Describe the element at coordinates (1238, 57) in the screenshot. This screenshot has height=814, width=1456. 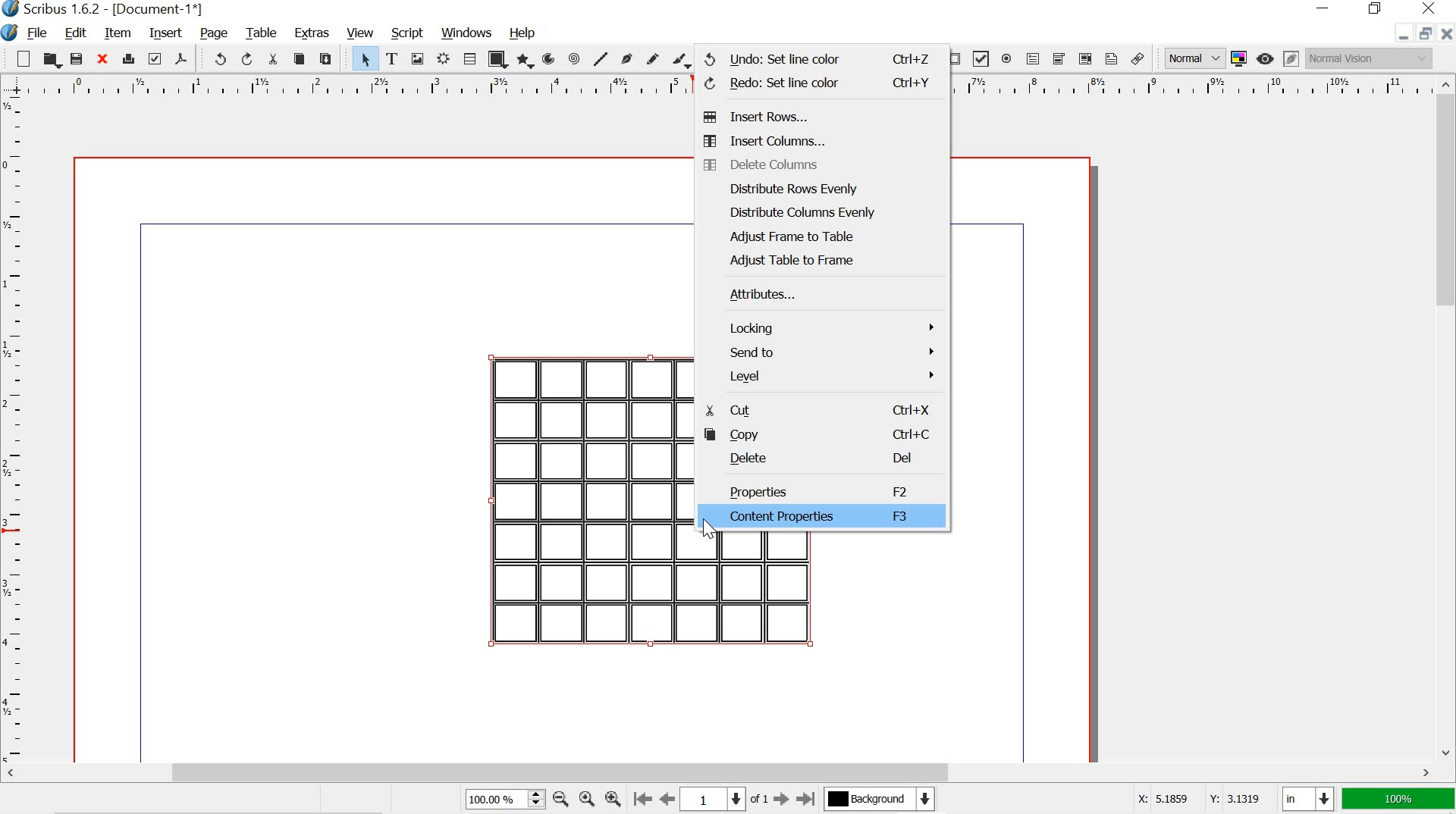
I see `toggle color management system` at that location.